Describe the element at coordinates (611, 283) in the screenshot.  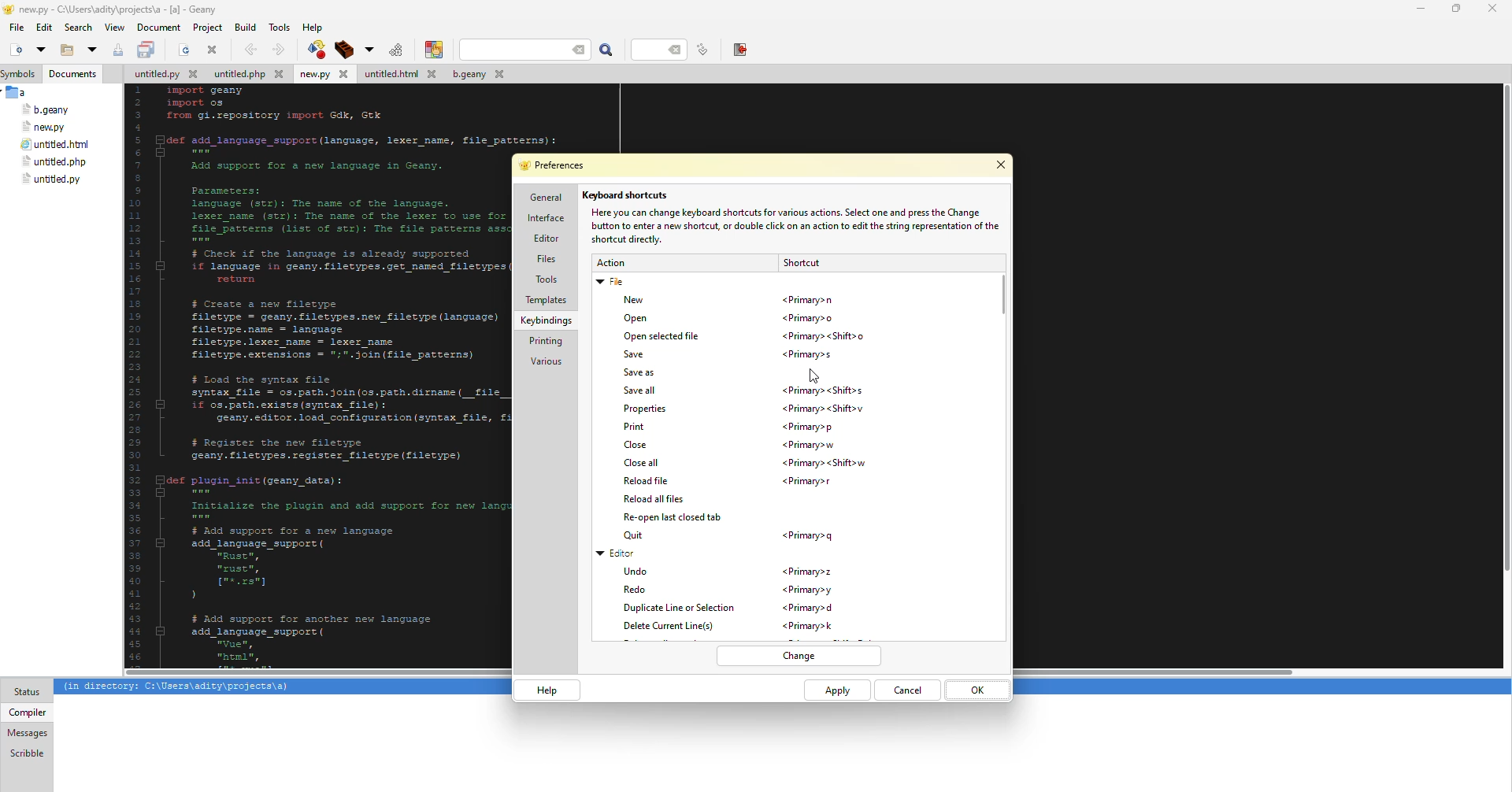
I see `file` at that location.